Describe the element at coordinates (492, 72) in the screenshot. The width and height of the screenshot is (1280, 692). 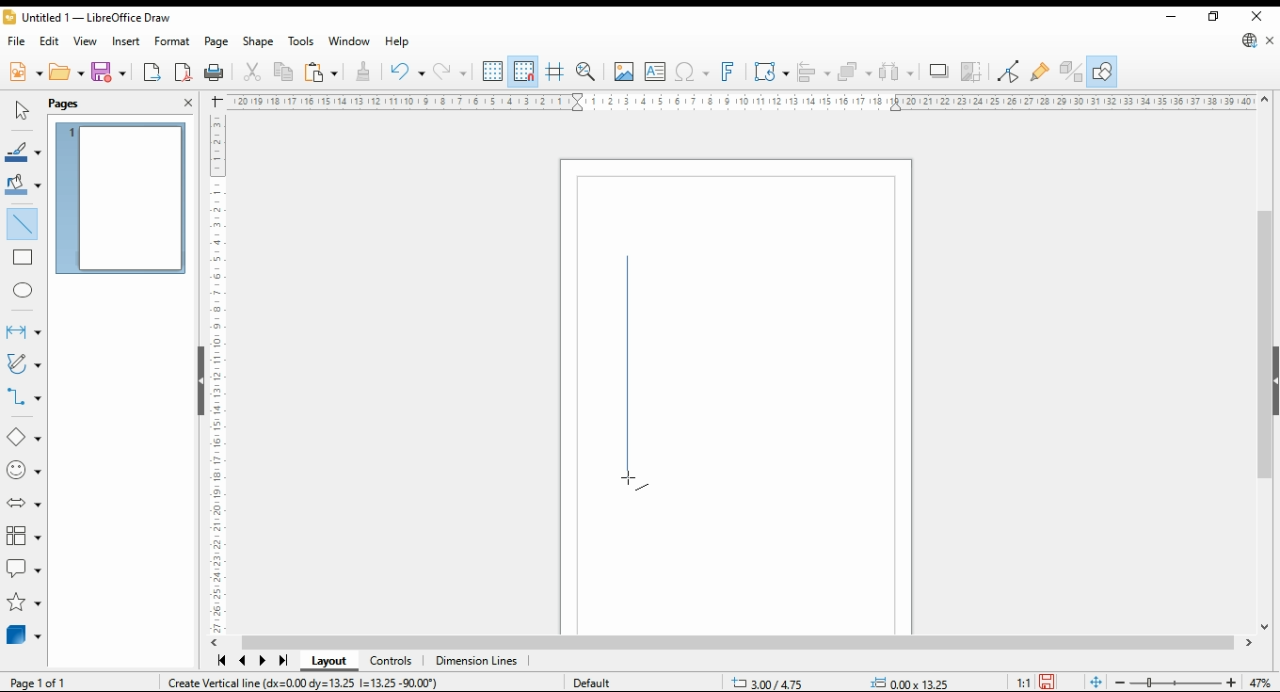
I see `show grids` at that location.